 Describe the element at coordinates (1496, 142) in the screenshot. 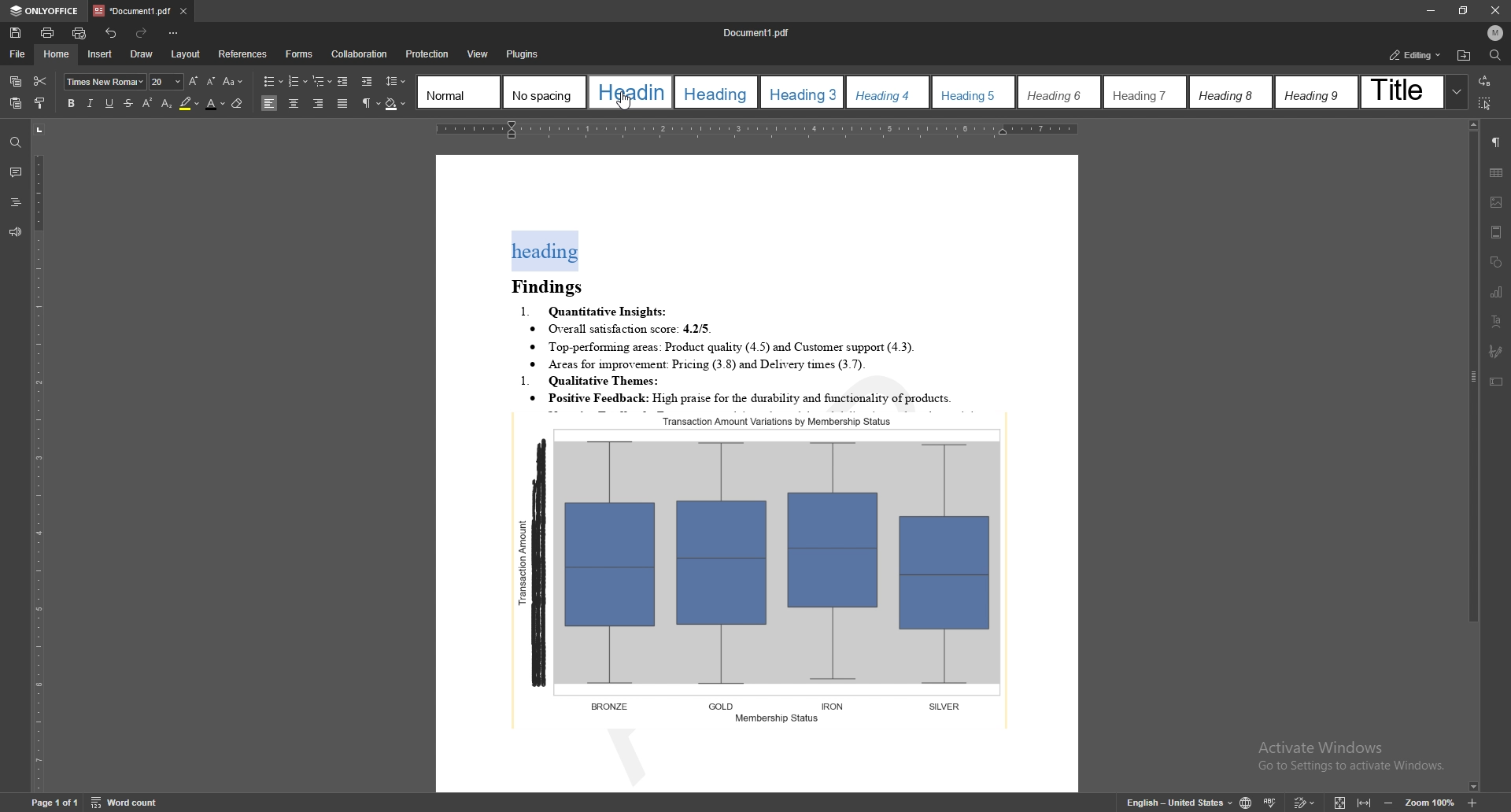

I see `paragraph` at that location.